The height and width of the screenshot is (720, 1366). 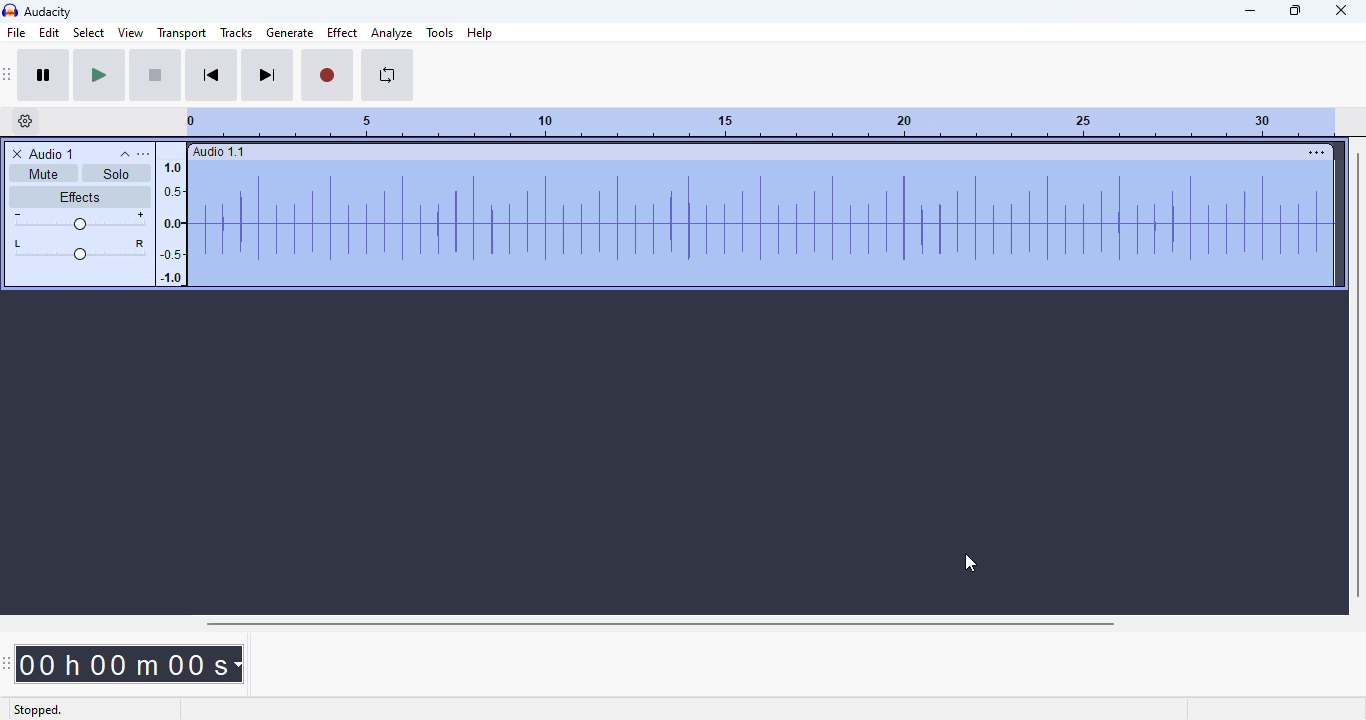 What do you see at coordinates (775, 152) in the screenshot?
I see `click to move` at bounding box center [775, 152].